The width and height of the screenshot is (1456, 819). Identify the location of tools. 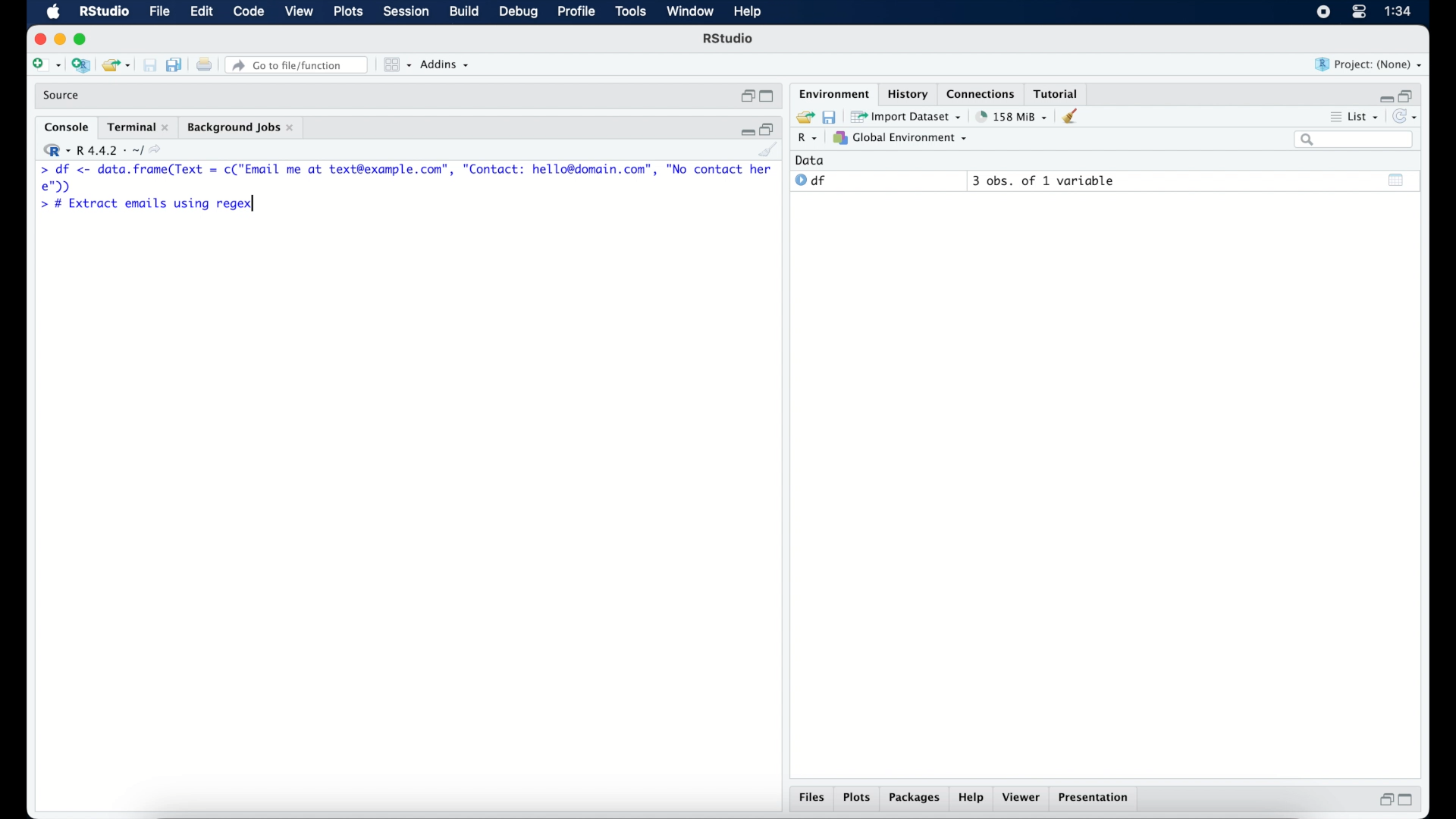
(629, 12).